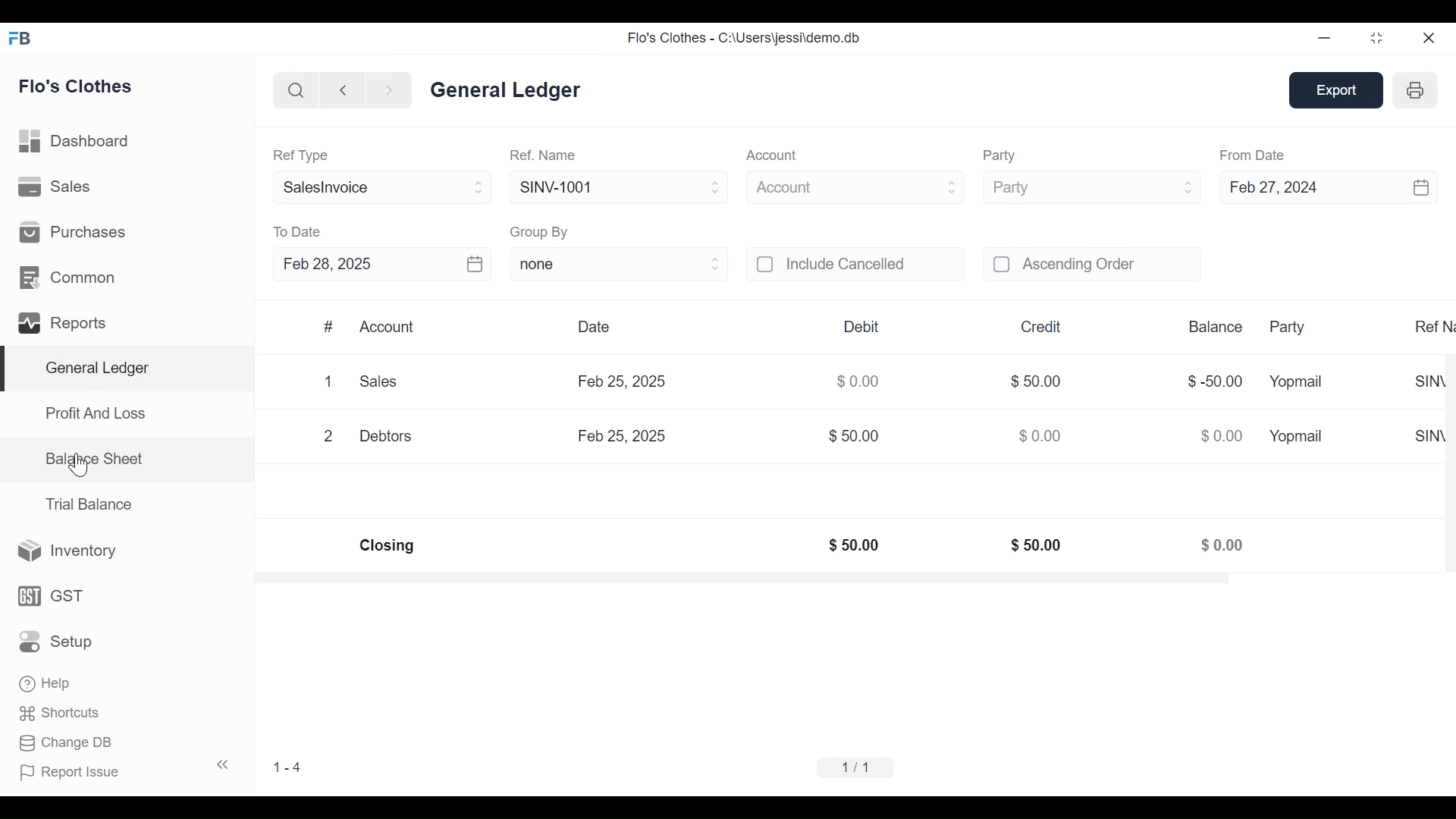  What do you see at coordinates (384, 187) in the screenshot?
I see `SalesInvoice` at bounding box center [384, 187].